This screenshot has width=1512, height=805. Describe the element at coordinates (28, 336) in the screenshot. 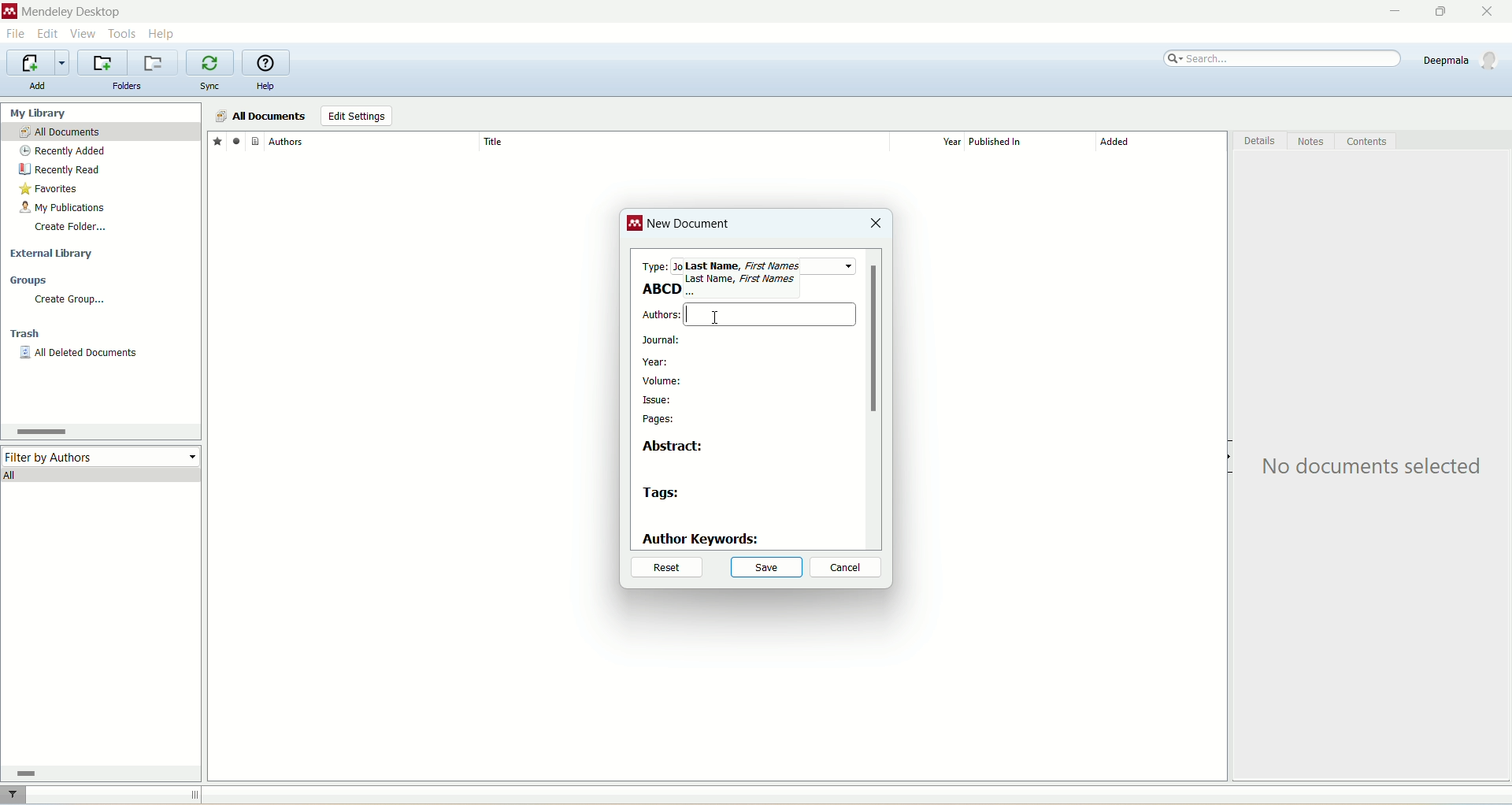

I see `trash` at that location.